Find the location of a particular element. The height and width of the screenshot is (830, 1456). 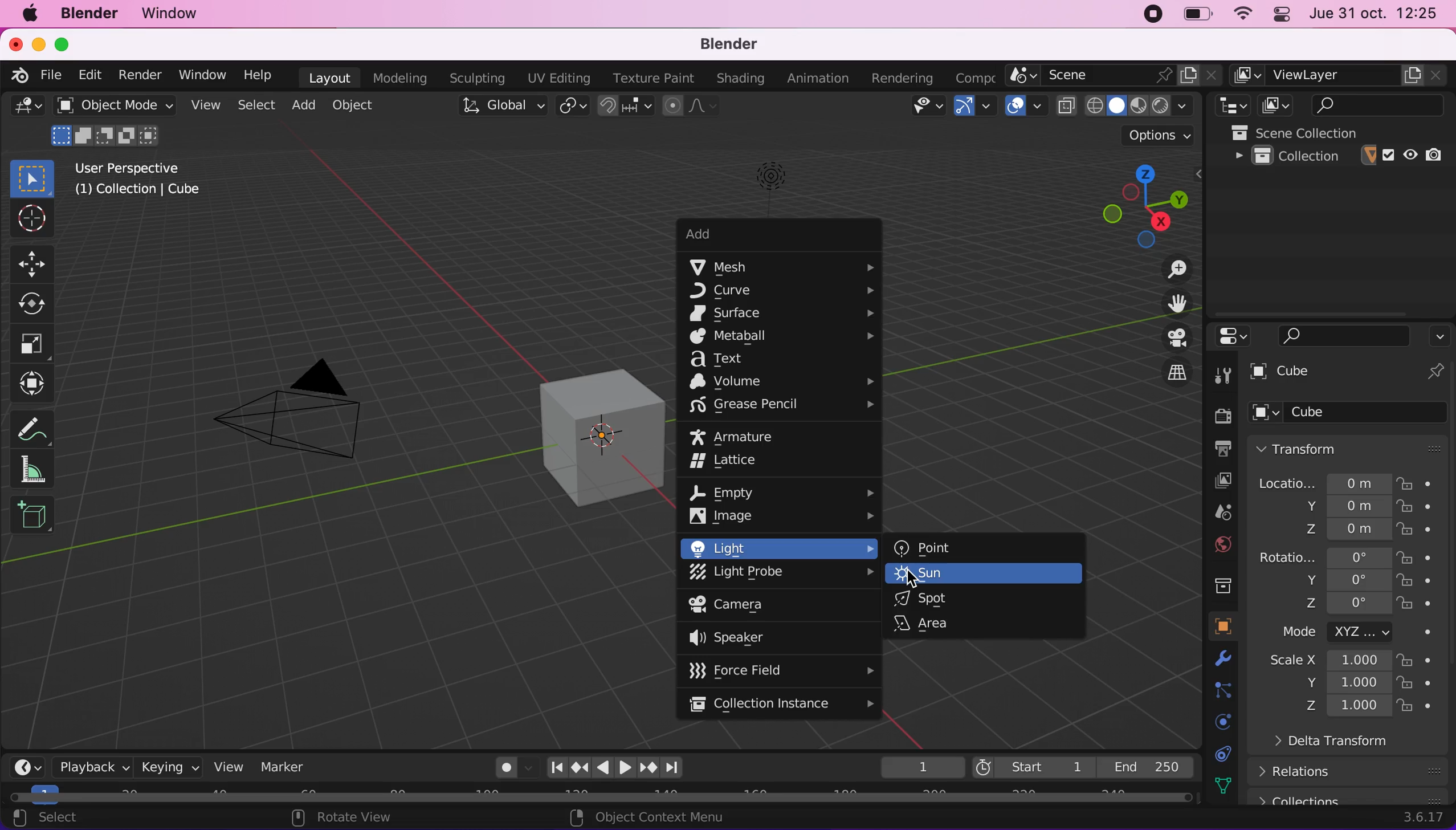

add is located at coordinates (761, 237).